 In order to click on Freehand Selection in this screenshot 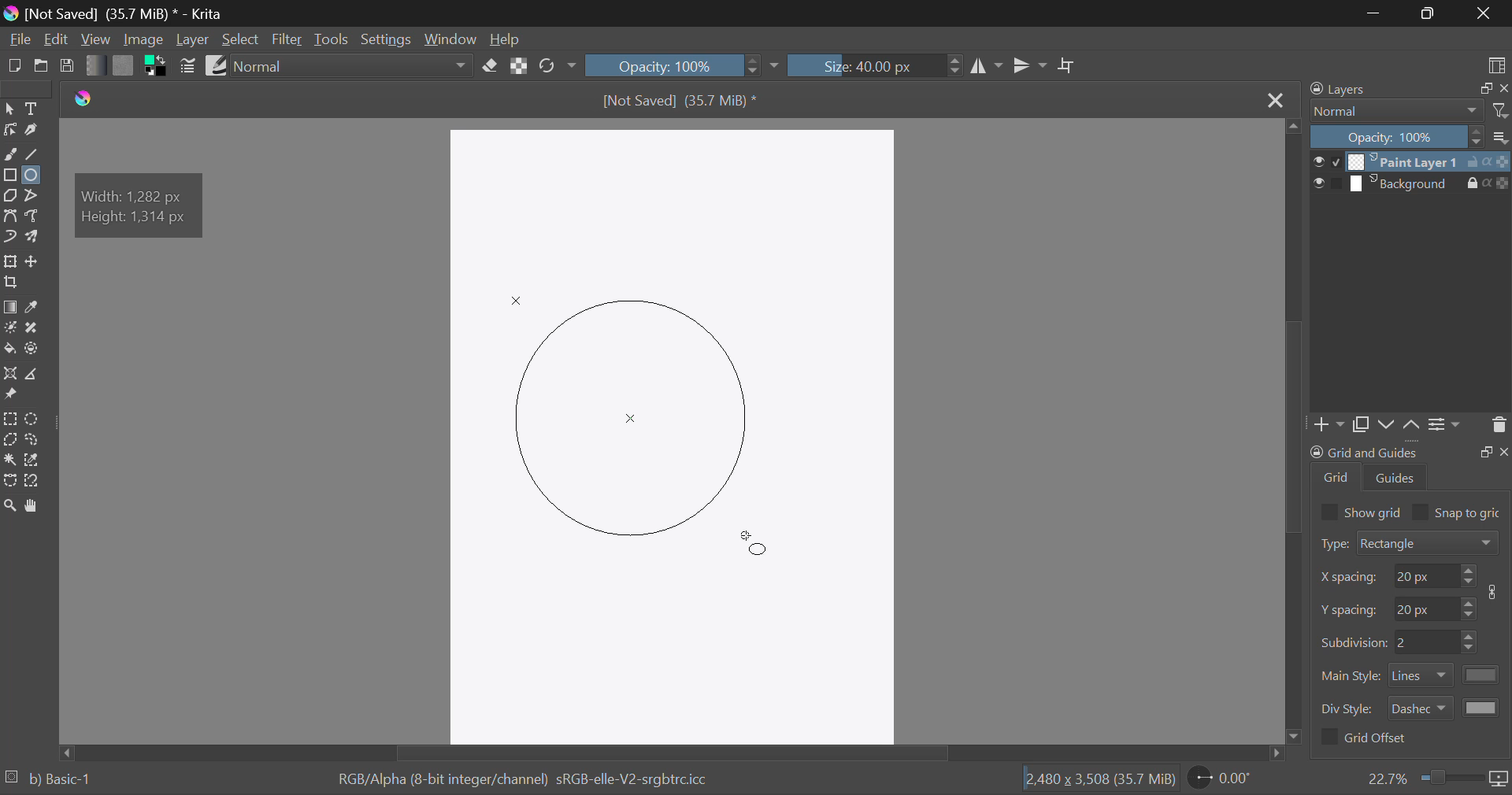, I will do `click(33, 442)`.